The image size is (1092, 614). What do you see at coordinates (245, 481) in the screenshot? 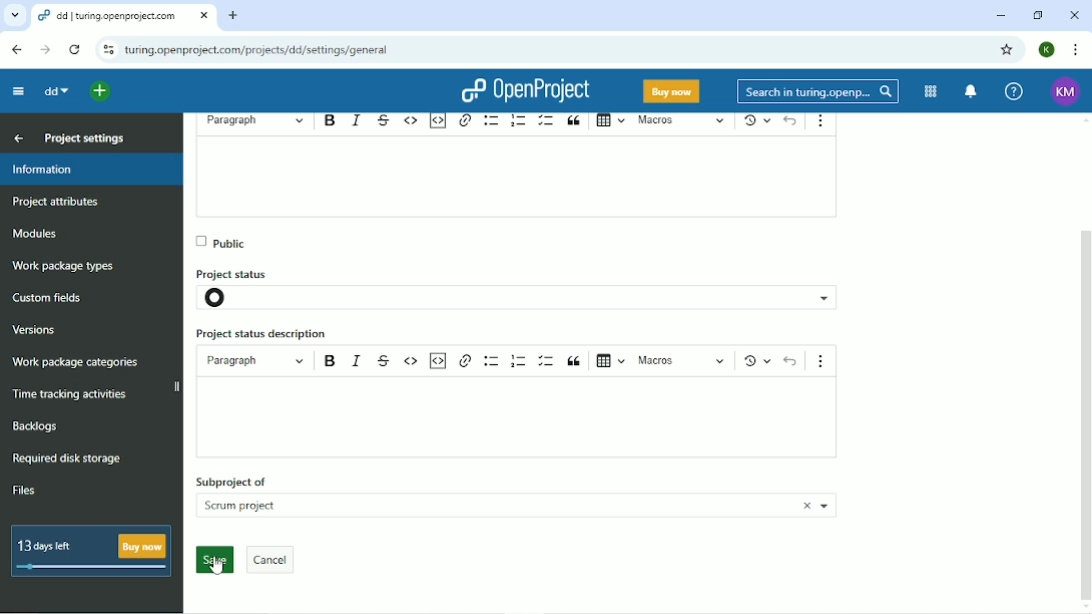
I see `subproject of` at bounding box center [245, 481].